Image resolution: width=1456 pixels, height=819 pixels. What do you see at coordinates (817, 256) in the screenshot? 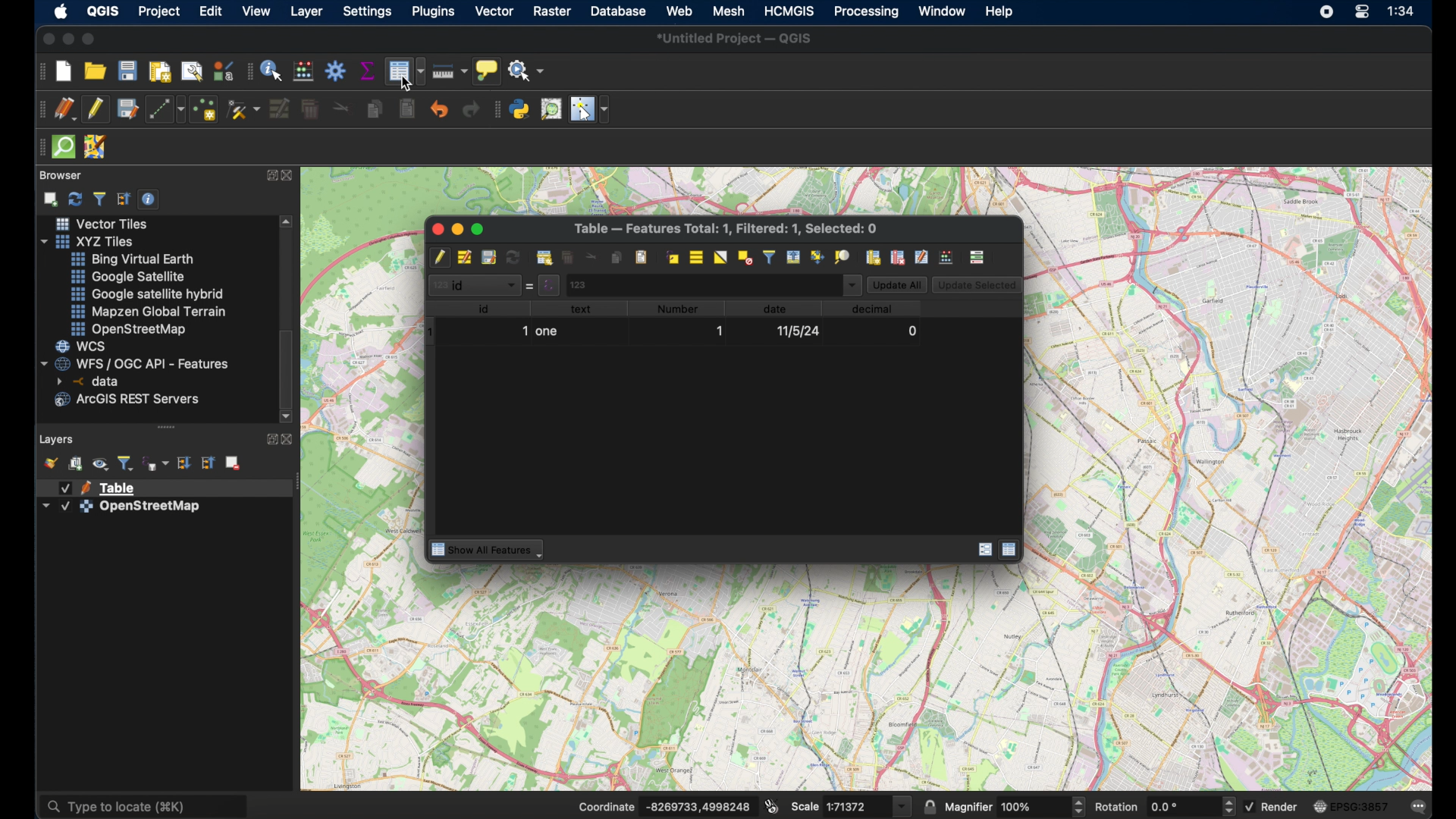
I see `pan map to selection` at bounding box center [817, 256].